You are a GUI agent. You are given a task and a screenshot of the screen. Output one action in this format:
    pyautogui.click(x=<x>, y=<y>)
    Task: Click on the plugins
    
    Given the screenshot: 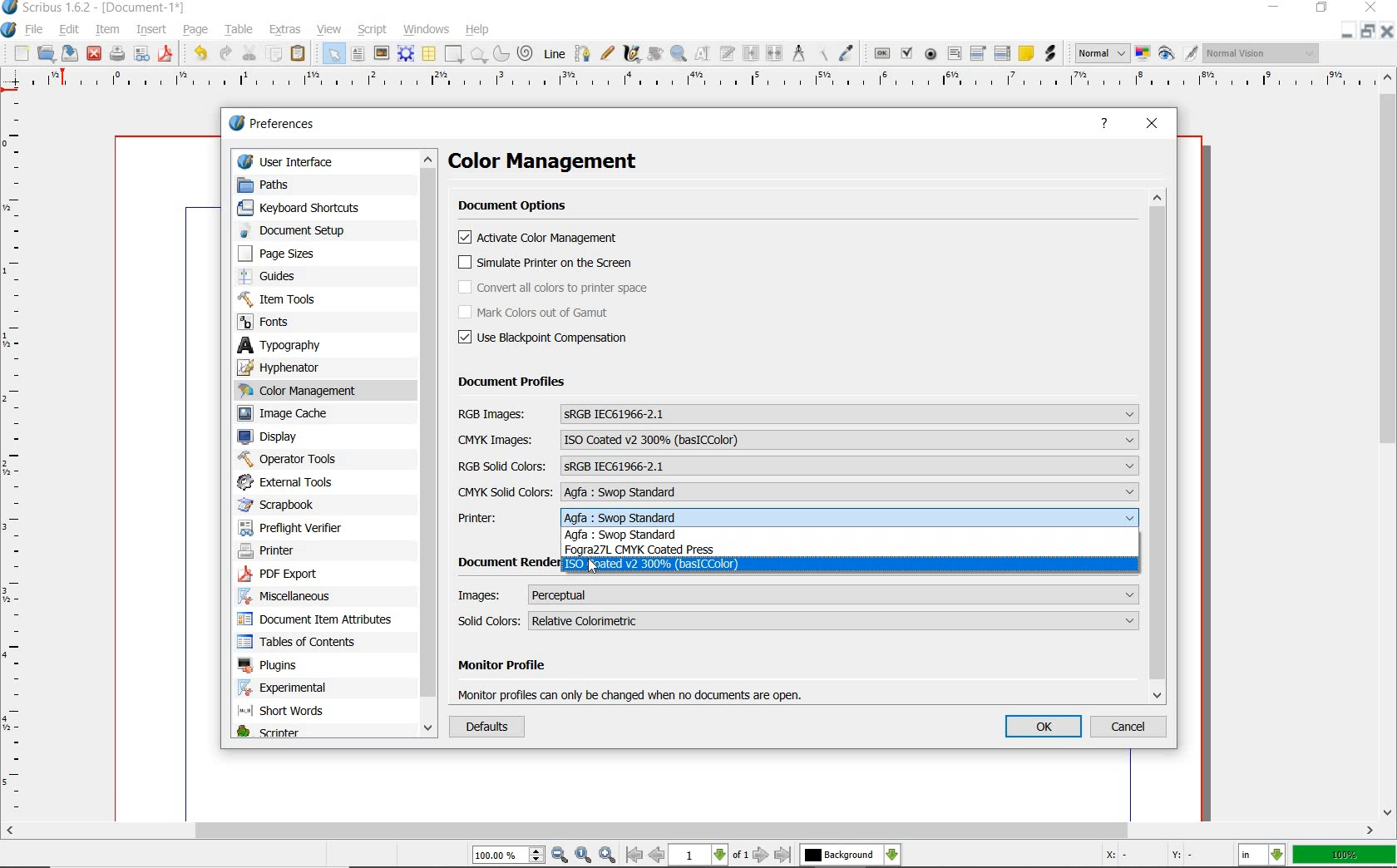 What is the action you would take?
    pyautogui.click(x=317, y=666)
    